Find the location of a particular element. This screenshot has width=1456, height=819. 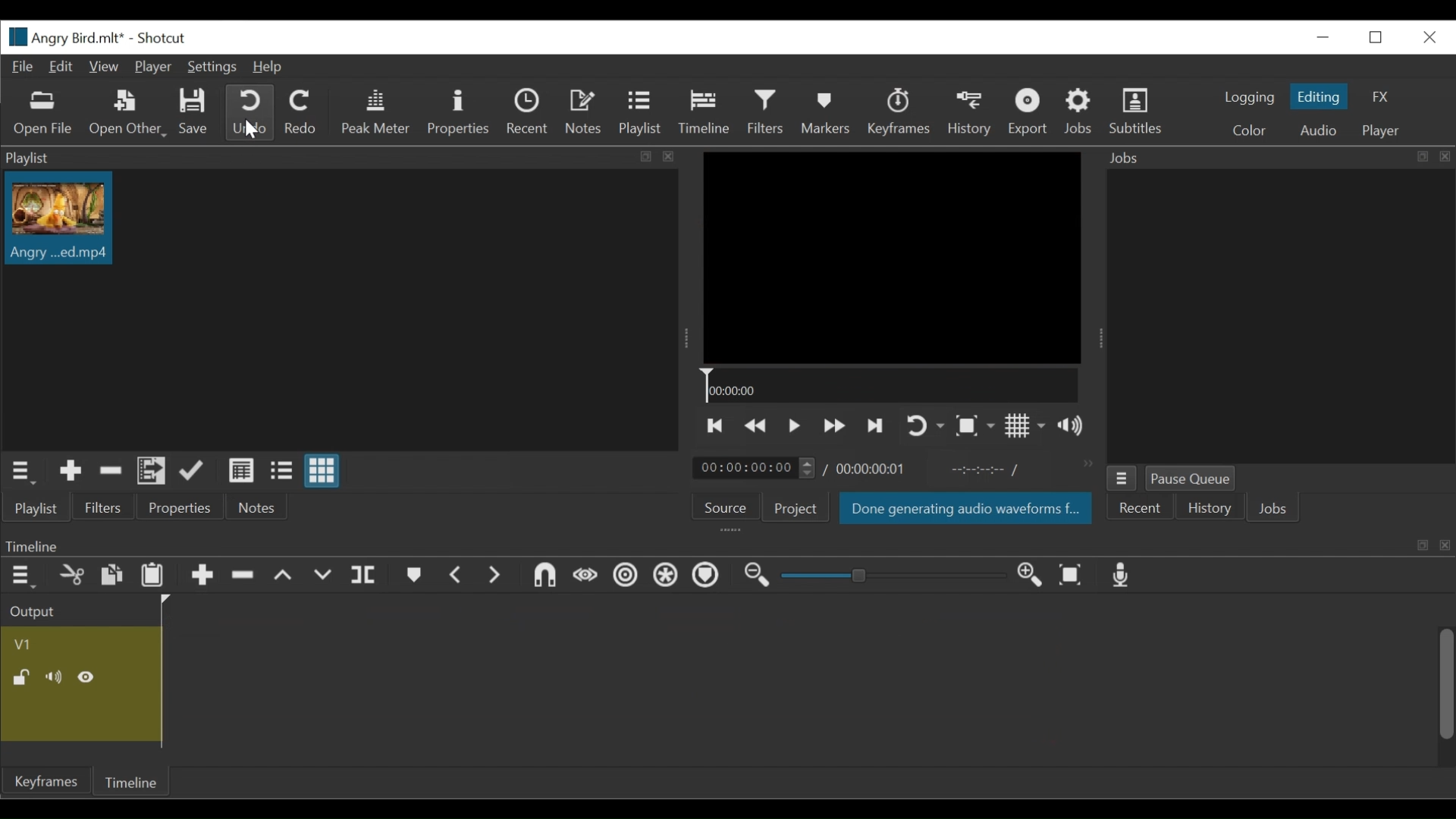

snap is located at coordinates (544, 575).